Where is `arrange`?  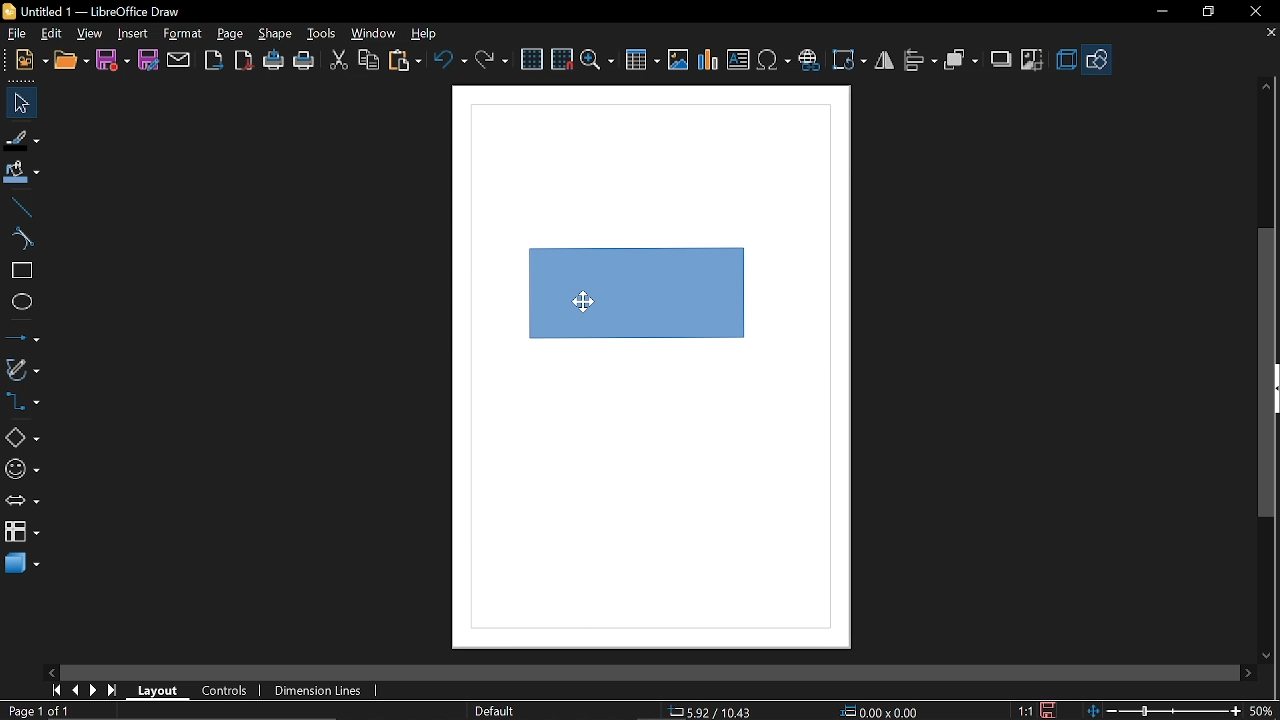
arrange is located at coordinates (962, 59).